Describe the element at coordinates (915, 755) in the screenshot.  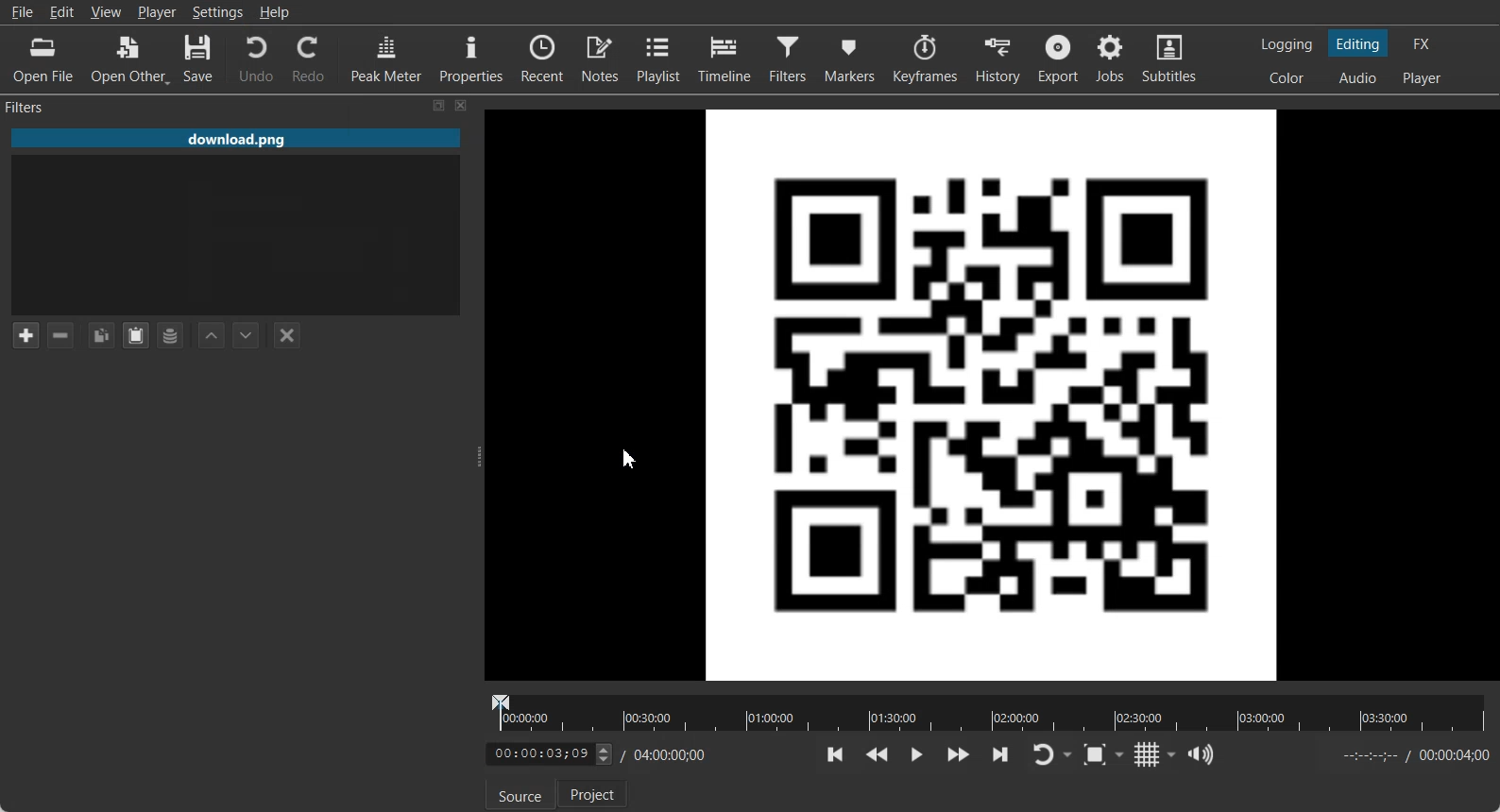
I see `Toggle paly or pause` at that location.